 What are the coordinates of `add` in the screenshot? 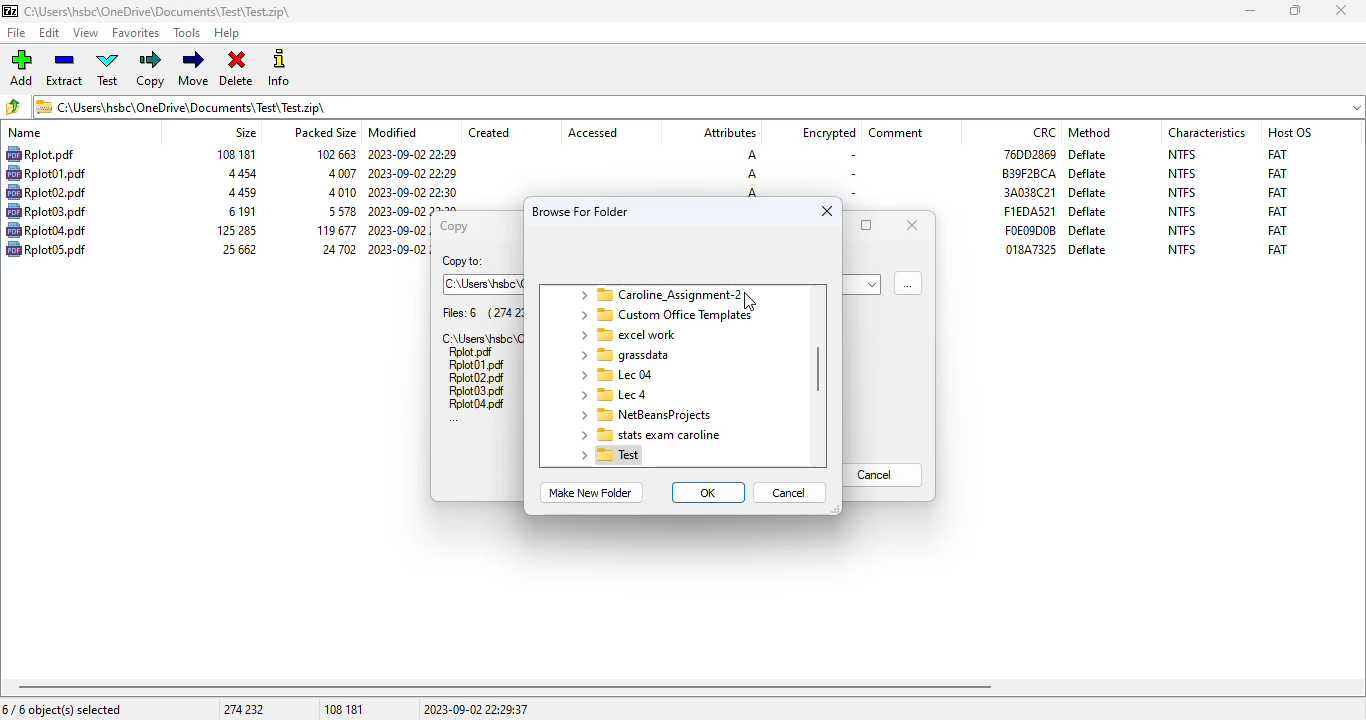 It's located at (21, 68).